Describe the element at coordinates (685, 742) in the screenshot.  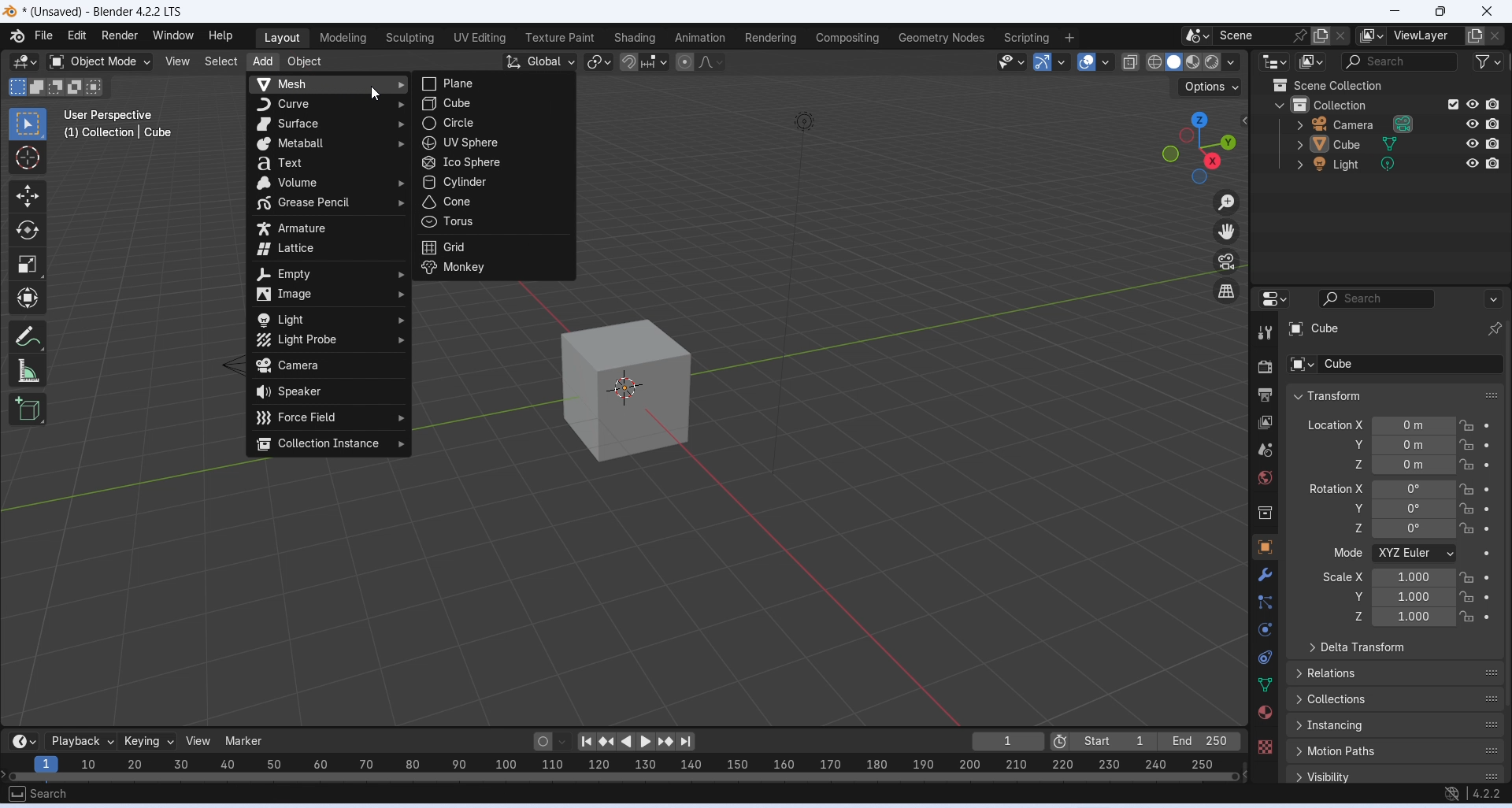
I see `jump to endpoint` at that location.